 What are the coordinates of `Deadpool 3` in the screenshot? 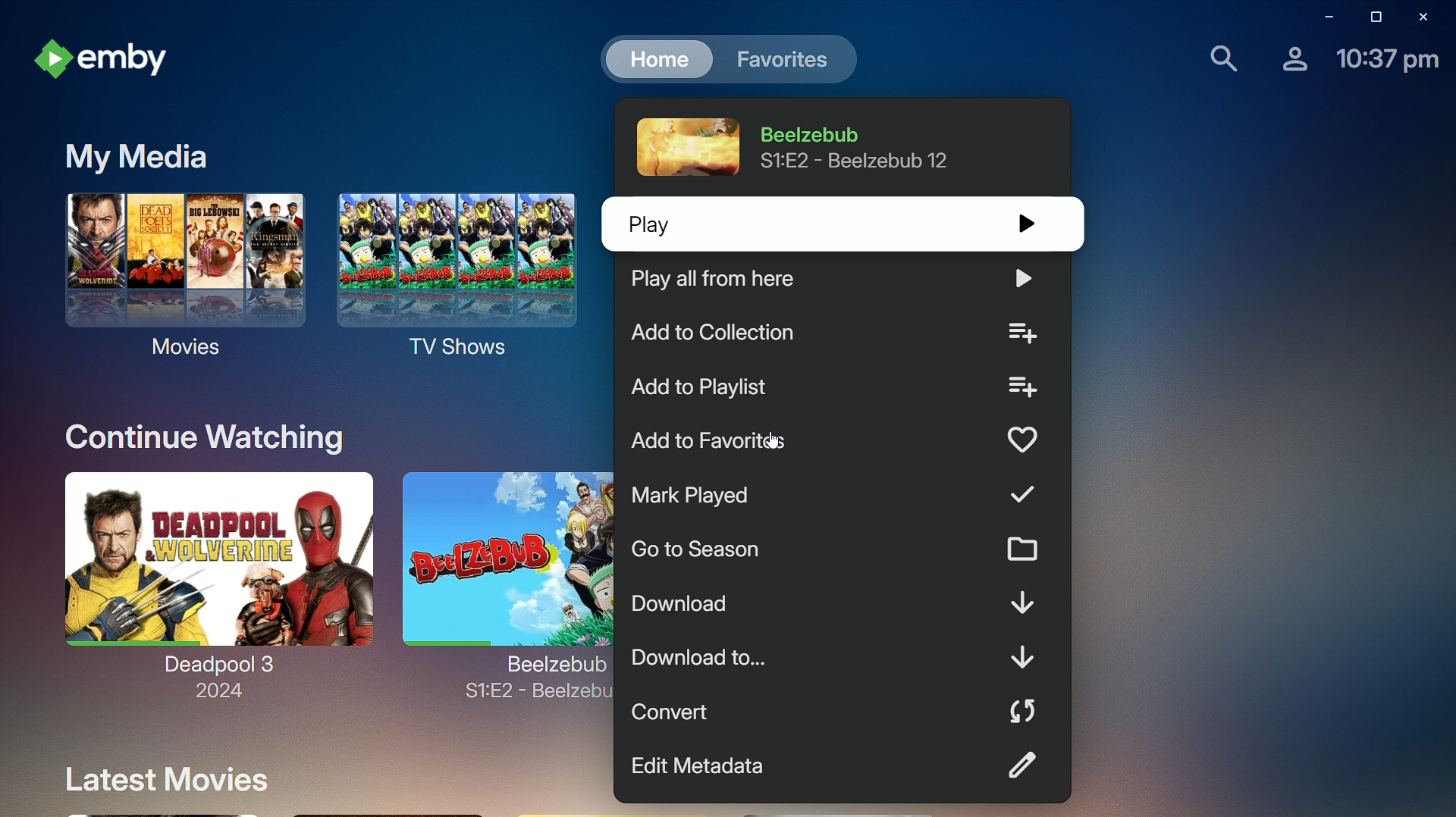 It's located at (212, 571).